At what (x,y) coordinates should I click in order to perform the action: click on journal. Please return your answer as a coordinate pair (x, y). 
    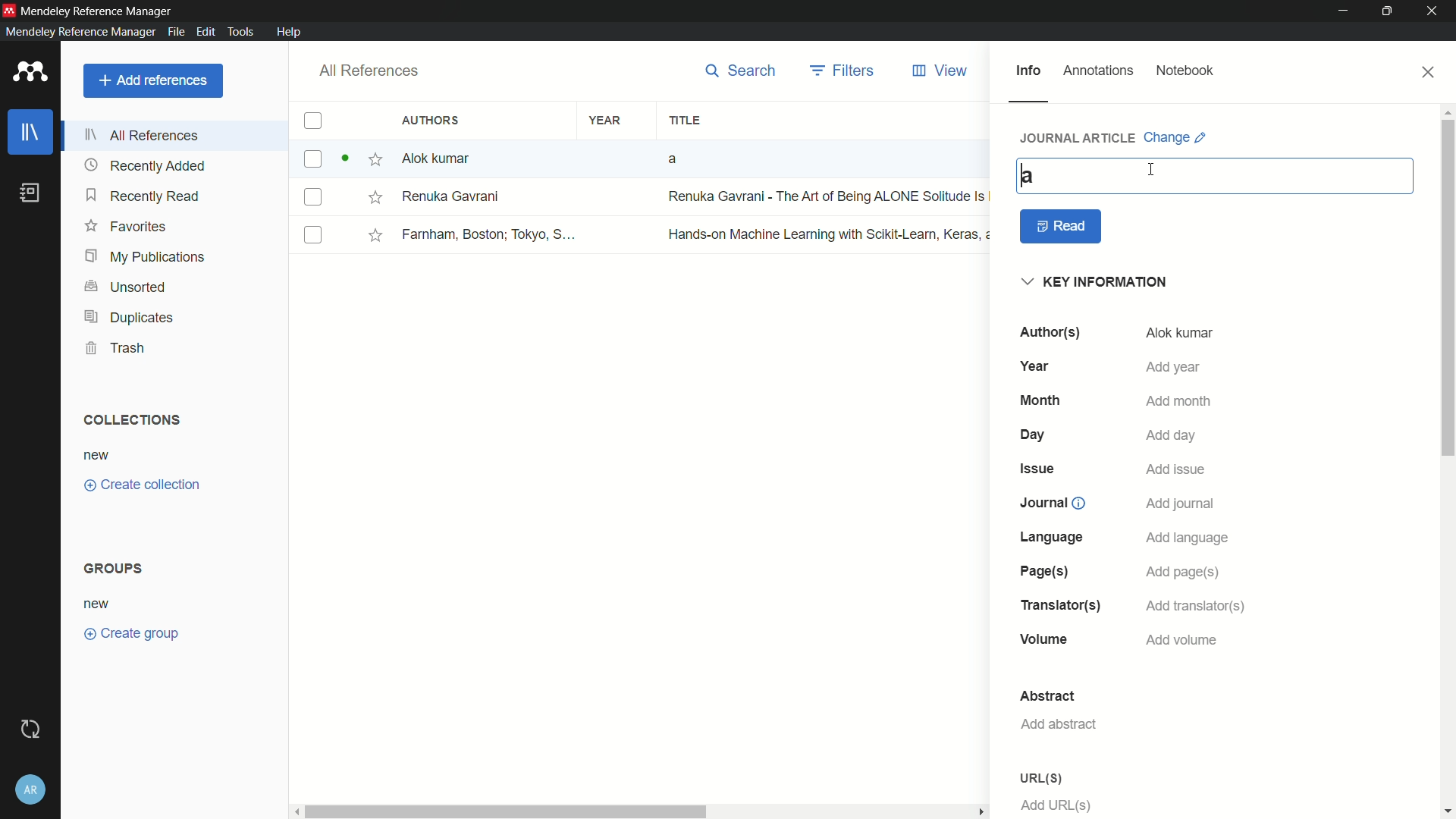
    Looking at the image, I should click on (1050, 503).